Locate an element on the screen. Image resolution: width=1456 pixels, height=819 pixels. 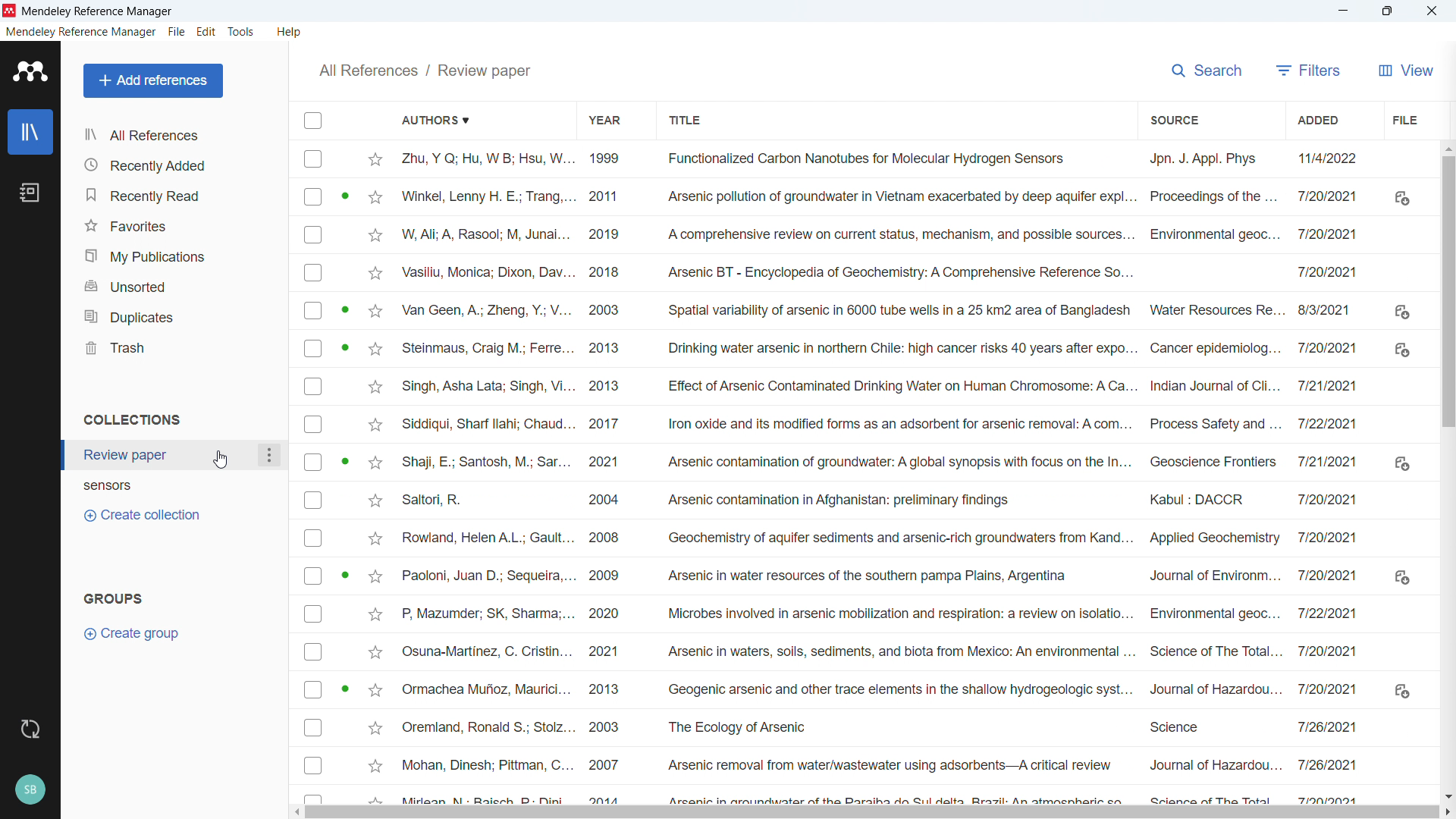
PDF available is located at coordinates (344, 726).